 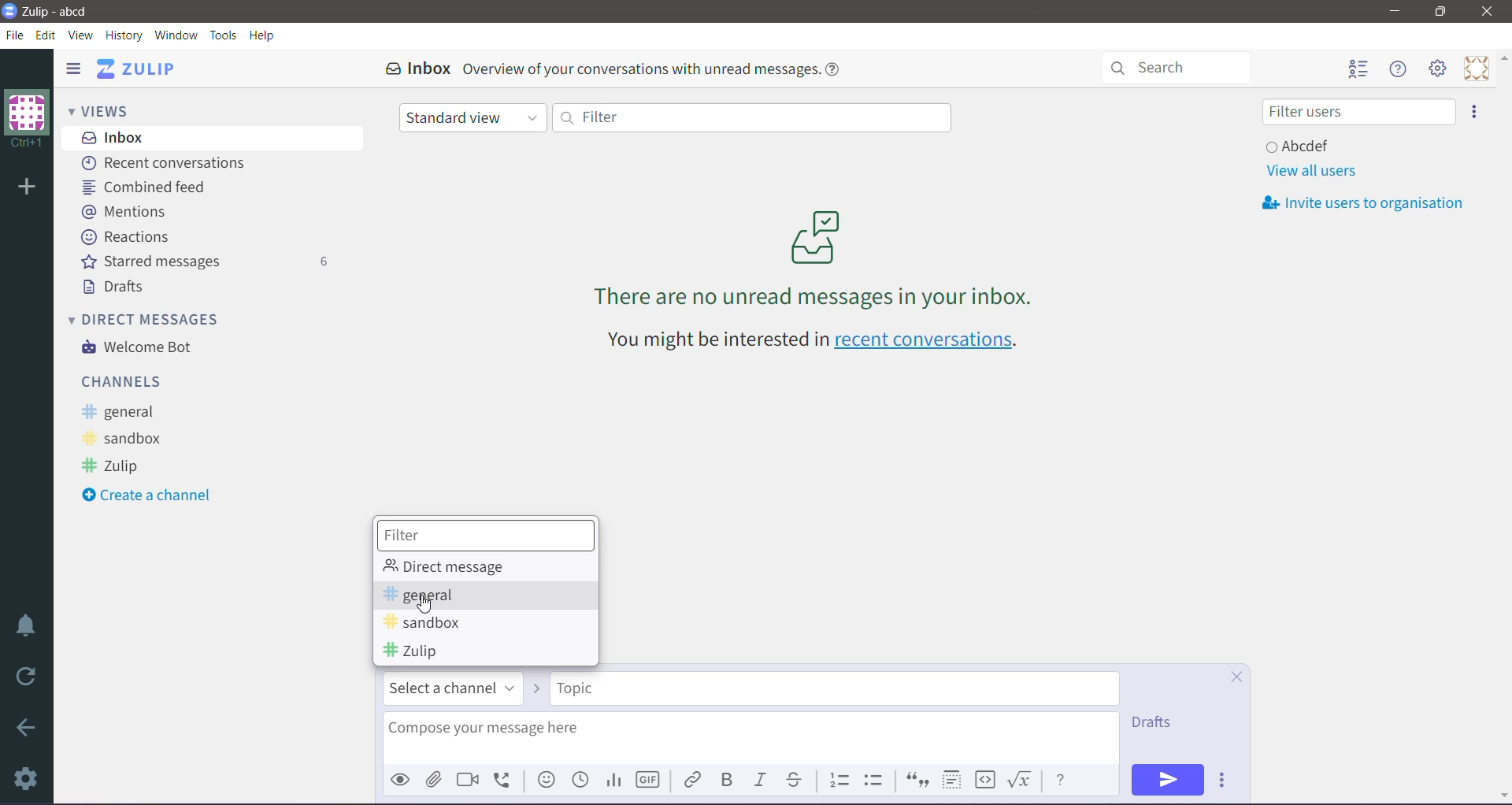 I want to click on Send, so click(x=1168, y=780).